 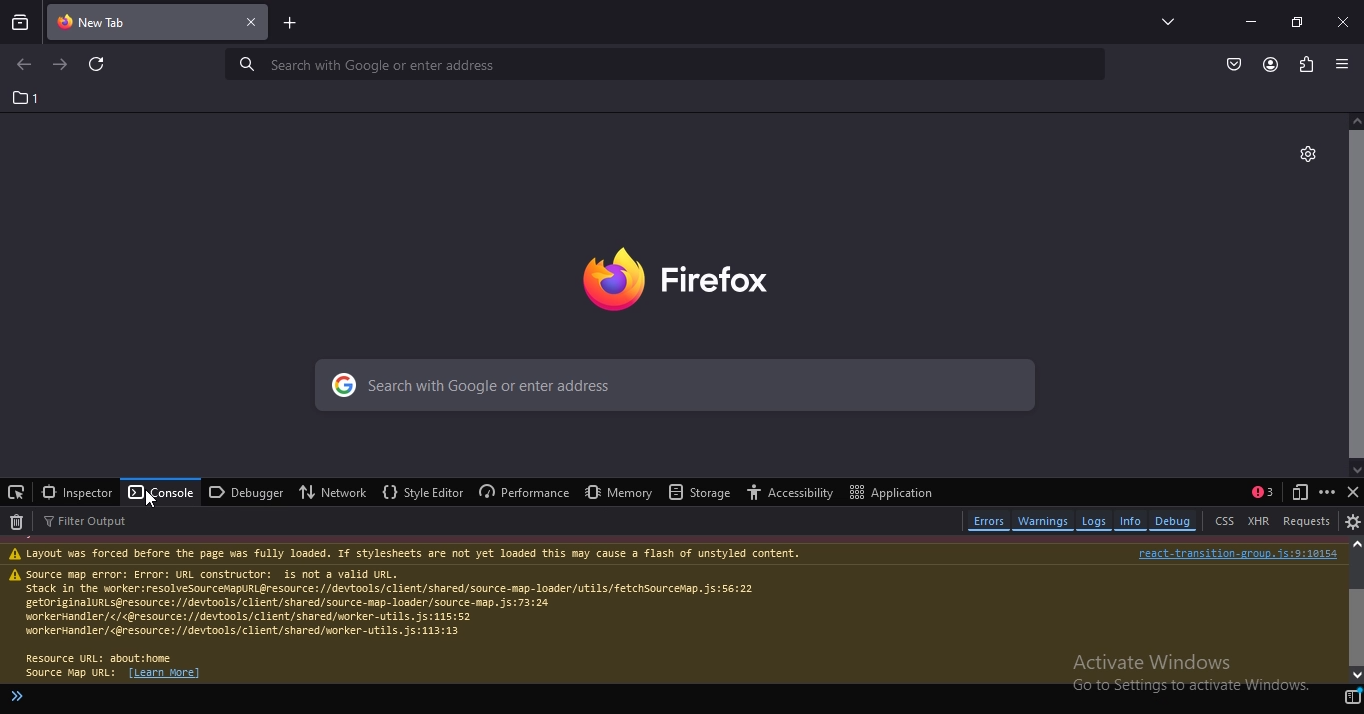 I want to click on go to next page, so click(x=61, y=65).